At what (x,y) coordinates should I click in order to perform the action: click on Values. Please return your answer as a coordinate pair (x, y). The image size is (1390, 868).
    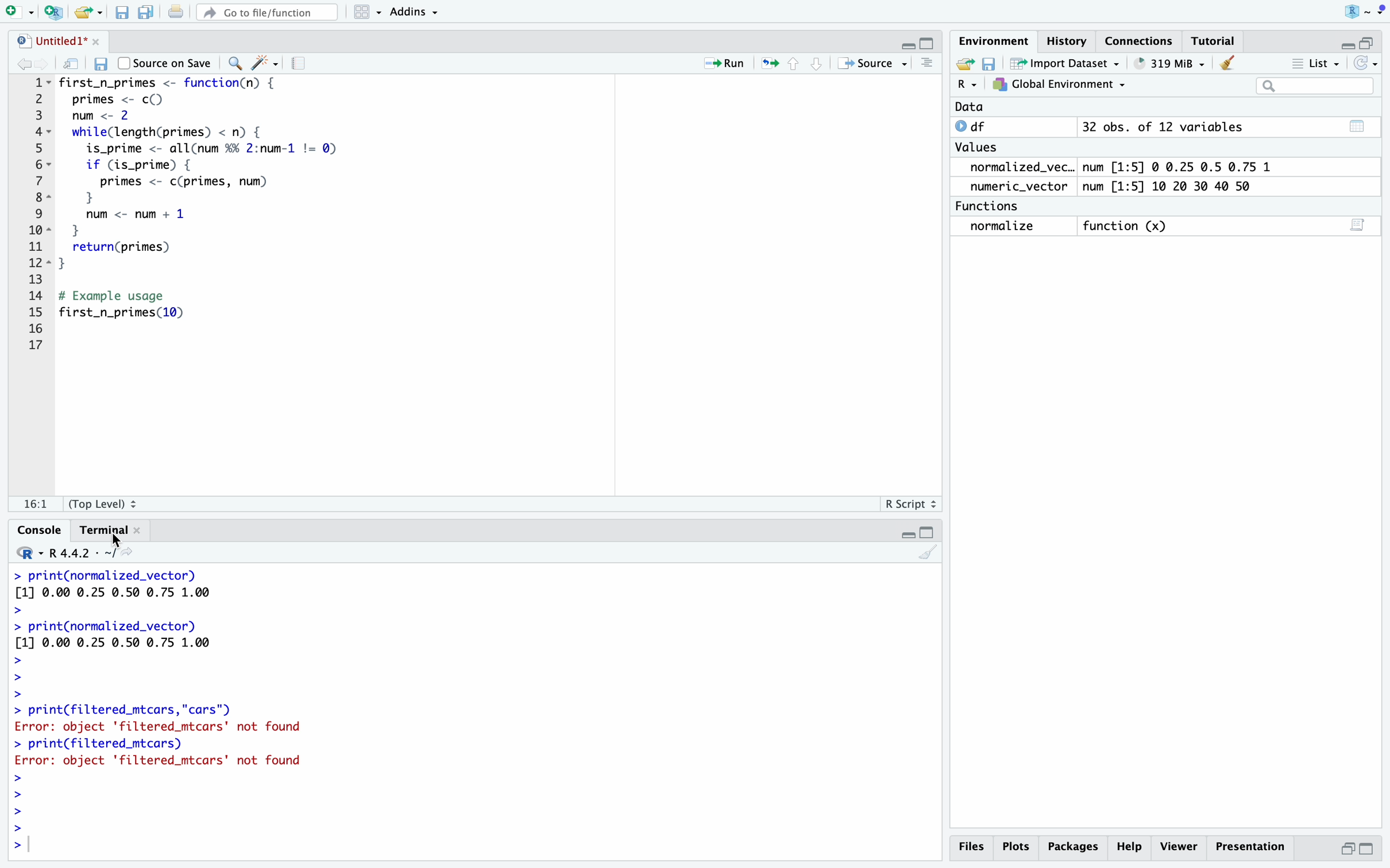
    Looking at the image, I should click on (983, 147).